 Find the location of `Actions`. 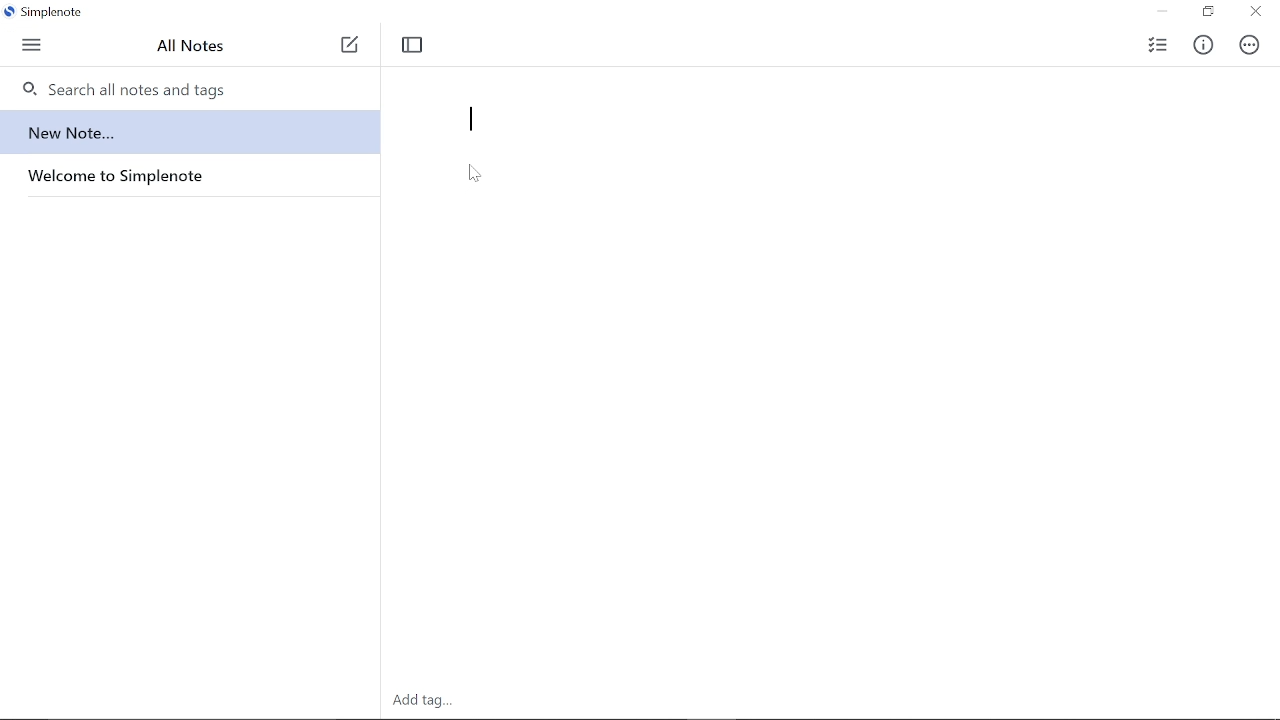

Actions is located at coordinates (1251, 48).